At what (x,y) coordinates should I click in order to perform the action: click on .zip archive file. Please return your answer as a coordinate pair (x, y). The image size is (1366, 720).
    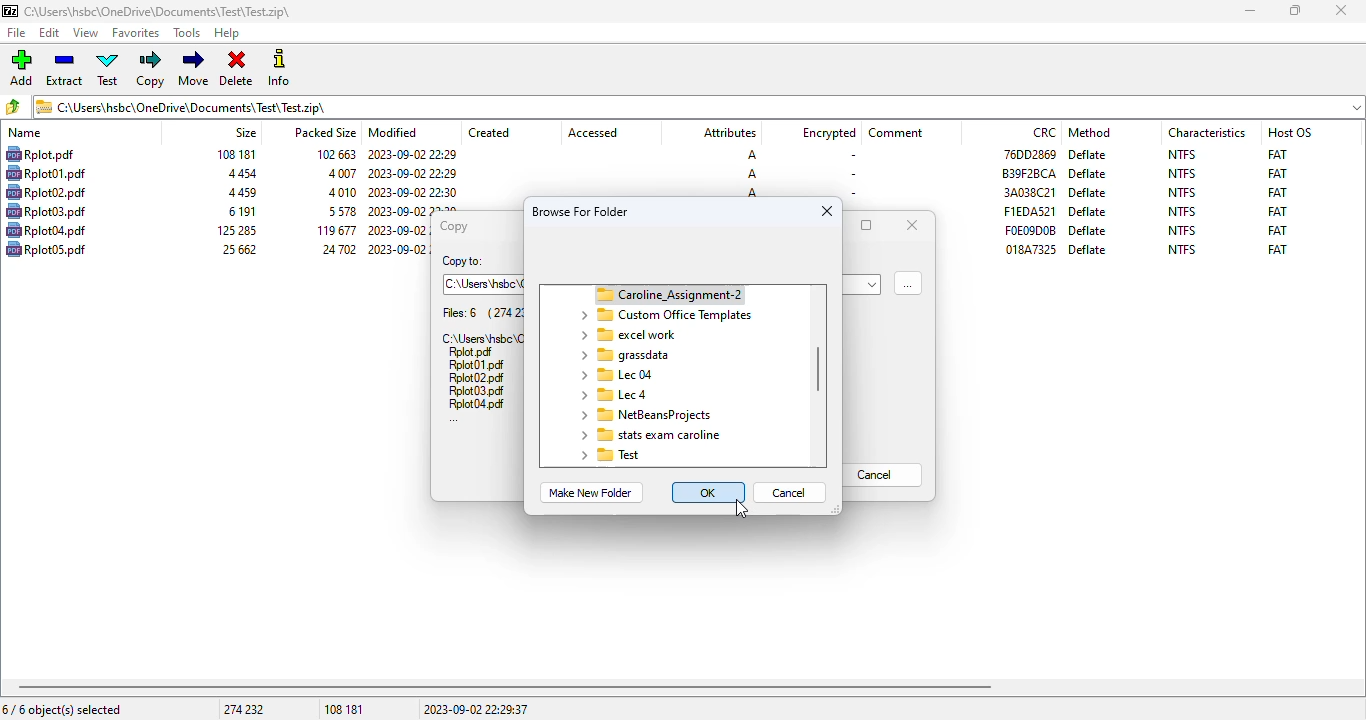
    Looking at the image, I should click on (481, 337).